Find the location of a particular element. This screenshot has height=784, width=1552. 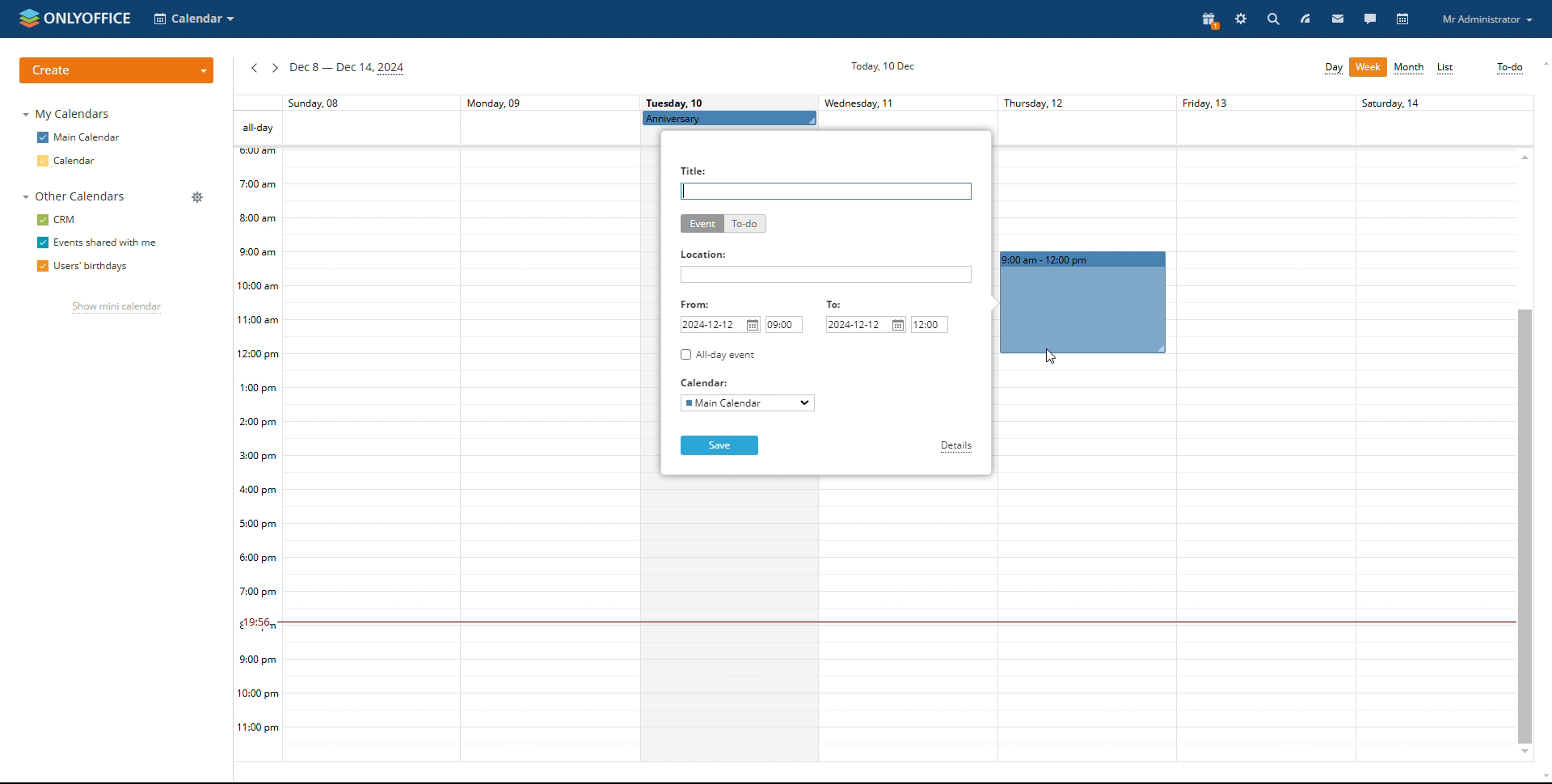

next week is located at coordinates (274, 68).